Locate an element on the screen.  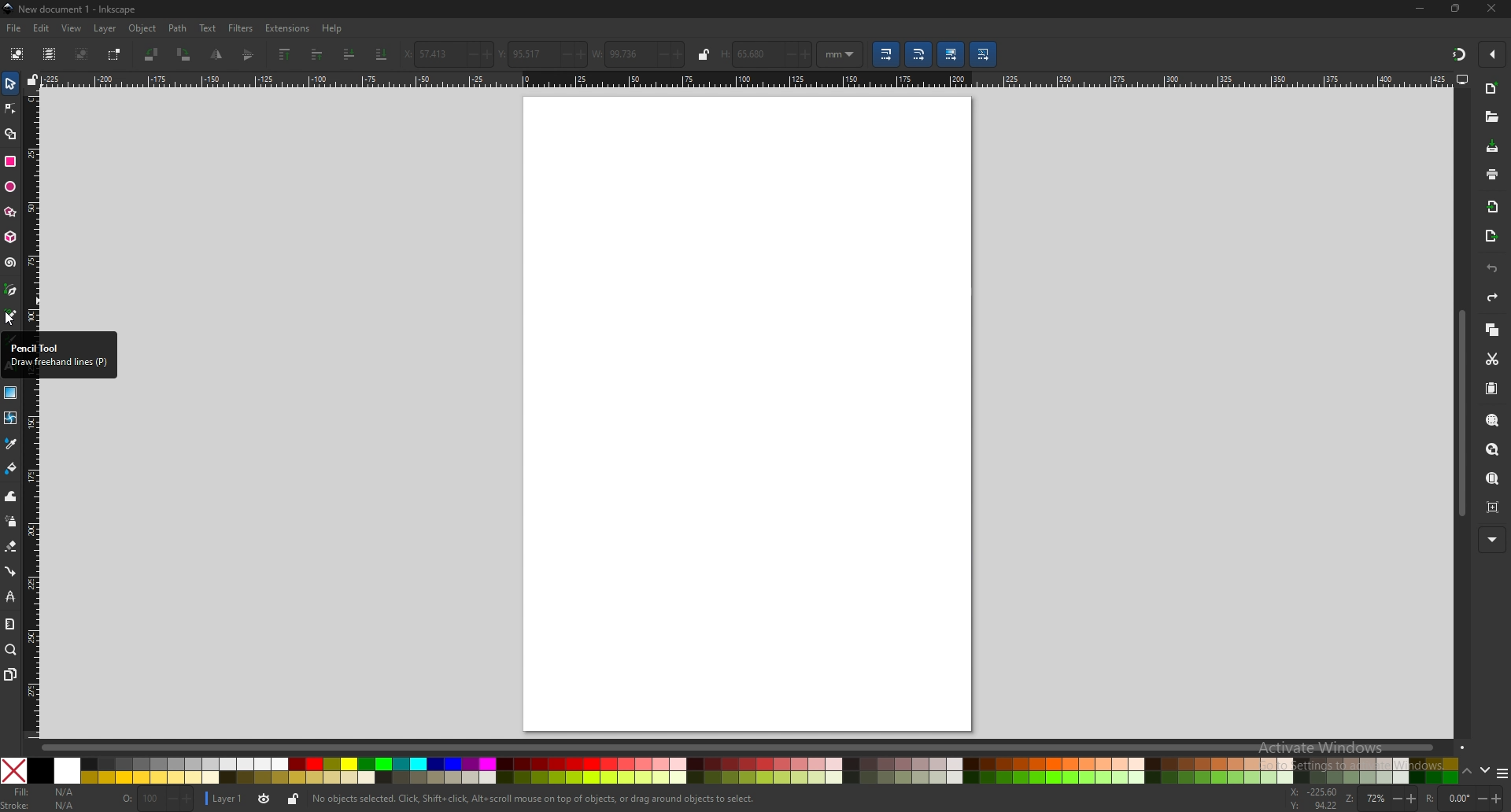
view is located at coordinates (73, 28).